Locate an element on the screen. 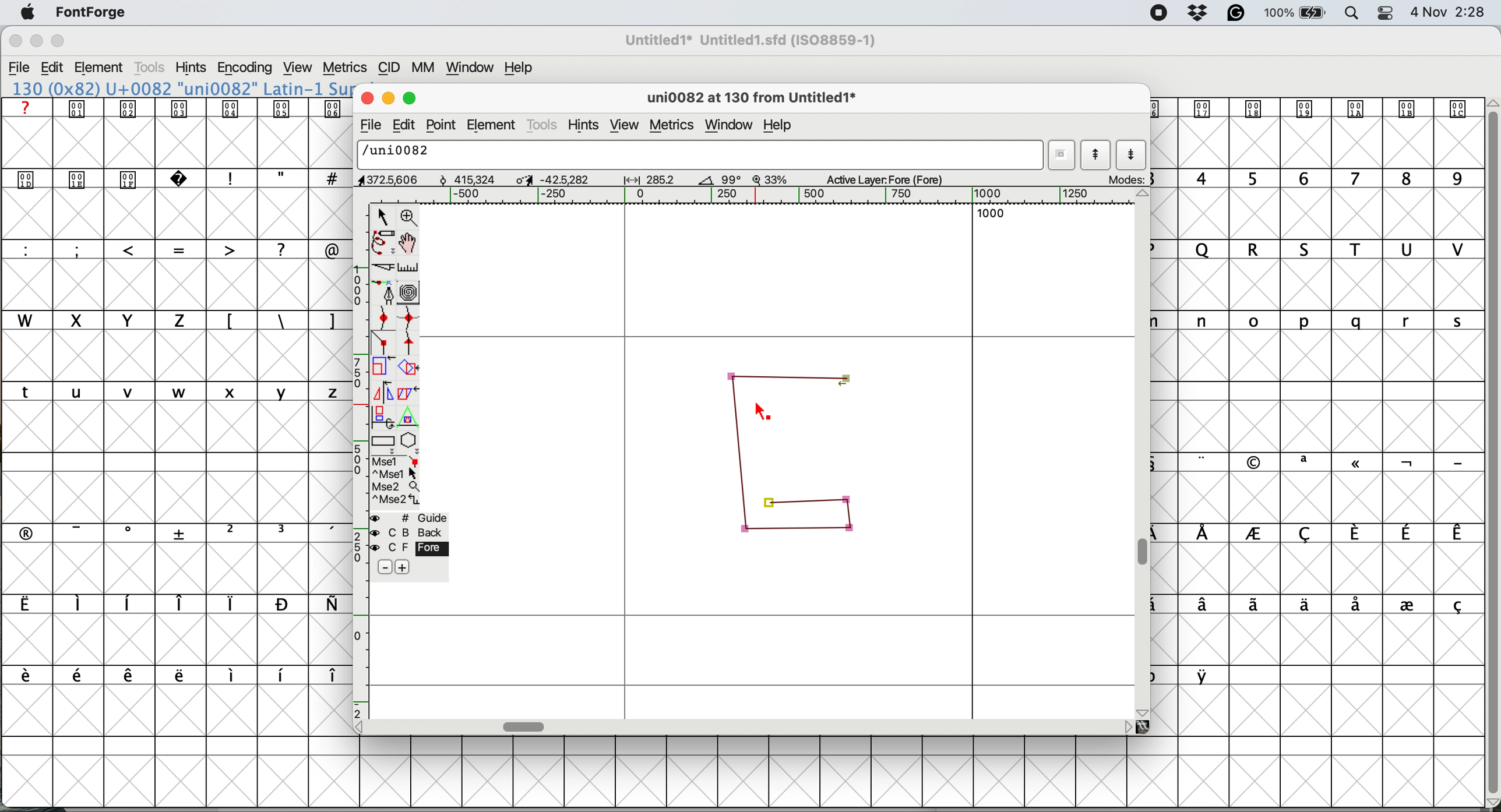 The height and width of the screenshot is (812, 1501). scroll button is located at coordinates (1127, 726).